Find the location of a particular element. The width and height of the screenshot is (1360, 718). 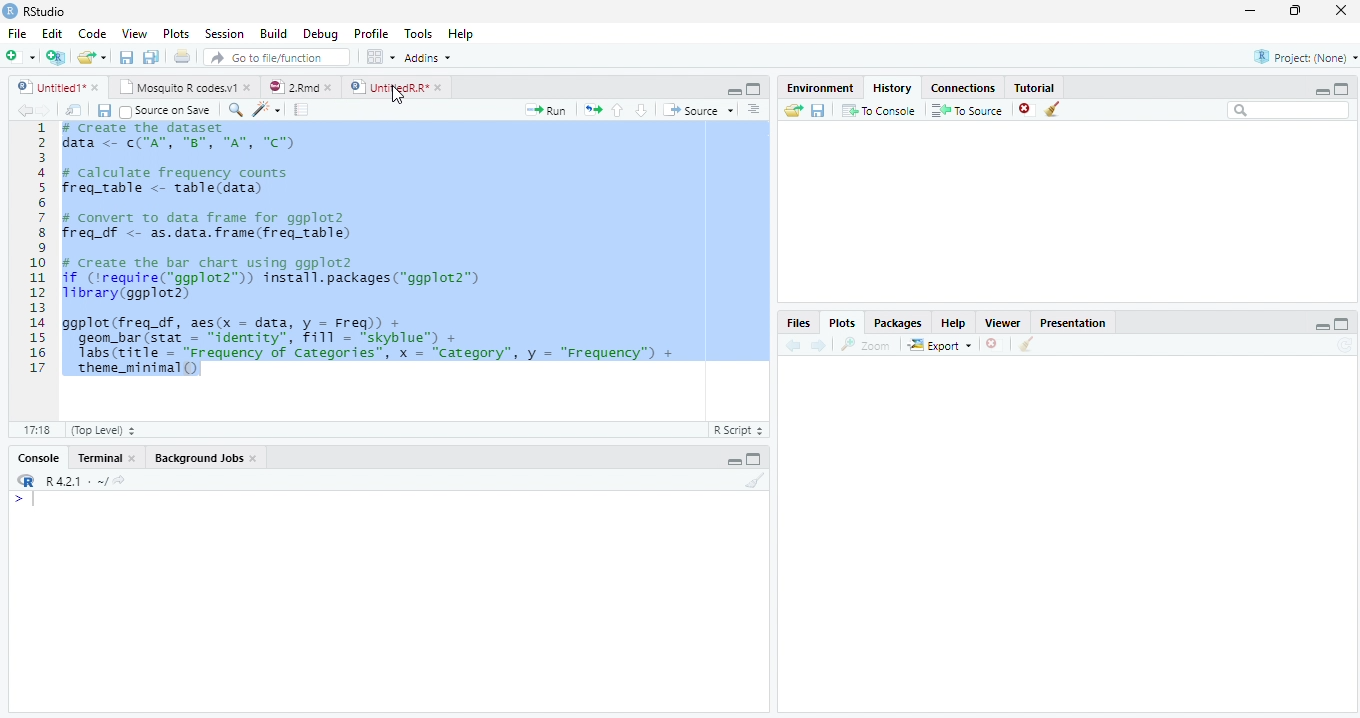

Rstudio is located at coordinates (34, 10).